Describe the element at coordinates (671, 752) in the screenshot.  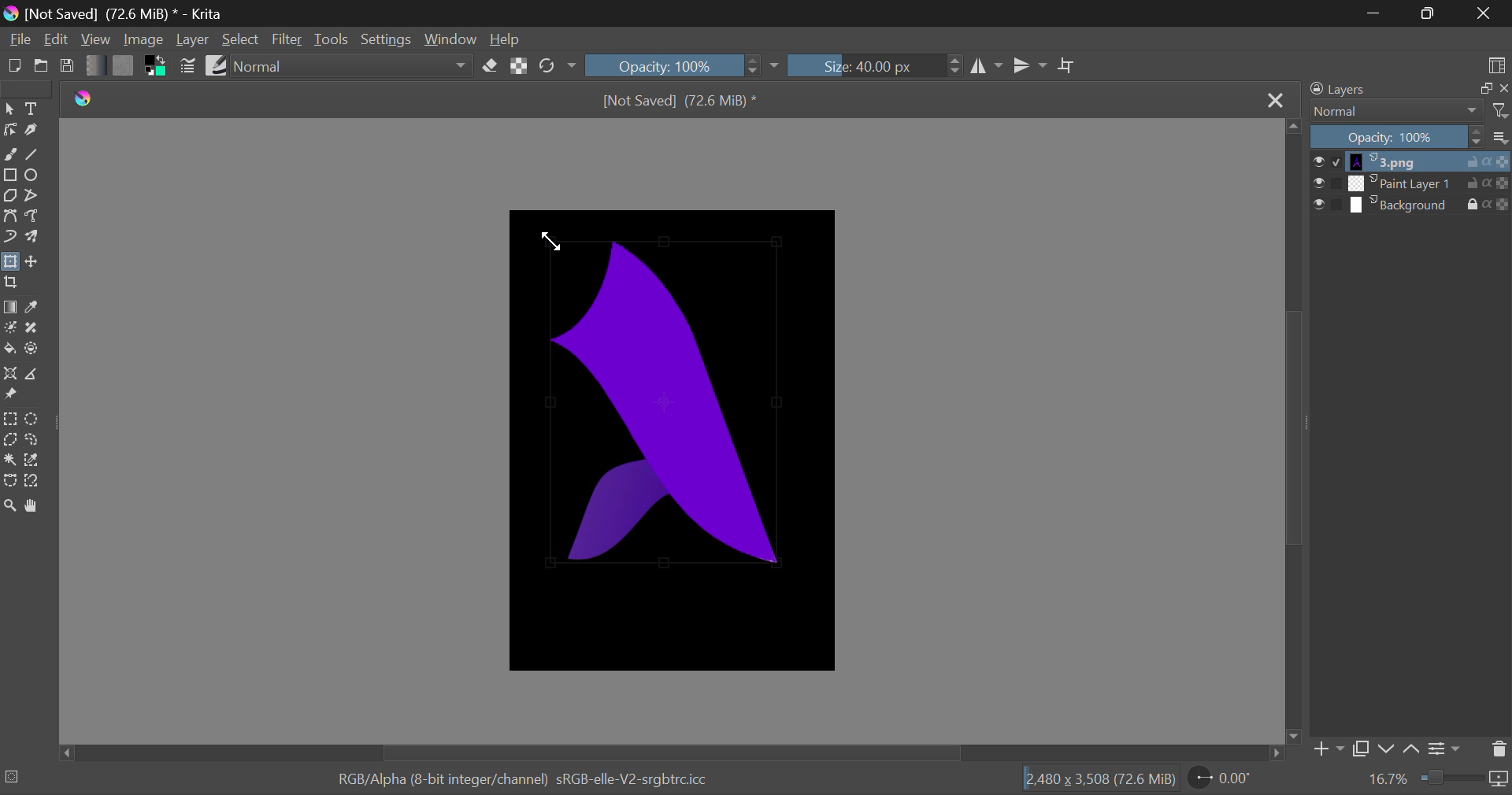
I see `Scroll Bar` at that location.